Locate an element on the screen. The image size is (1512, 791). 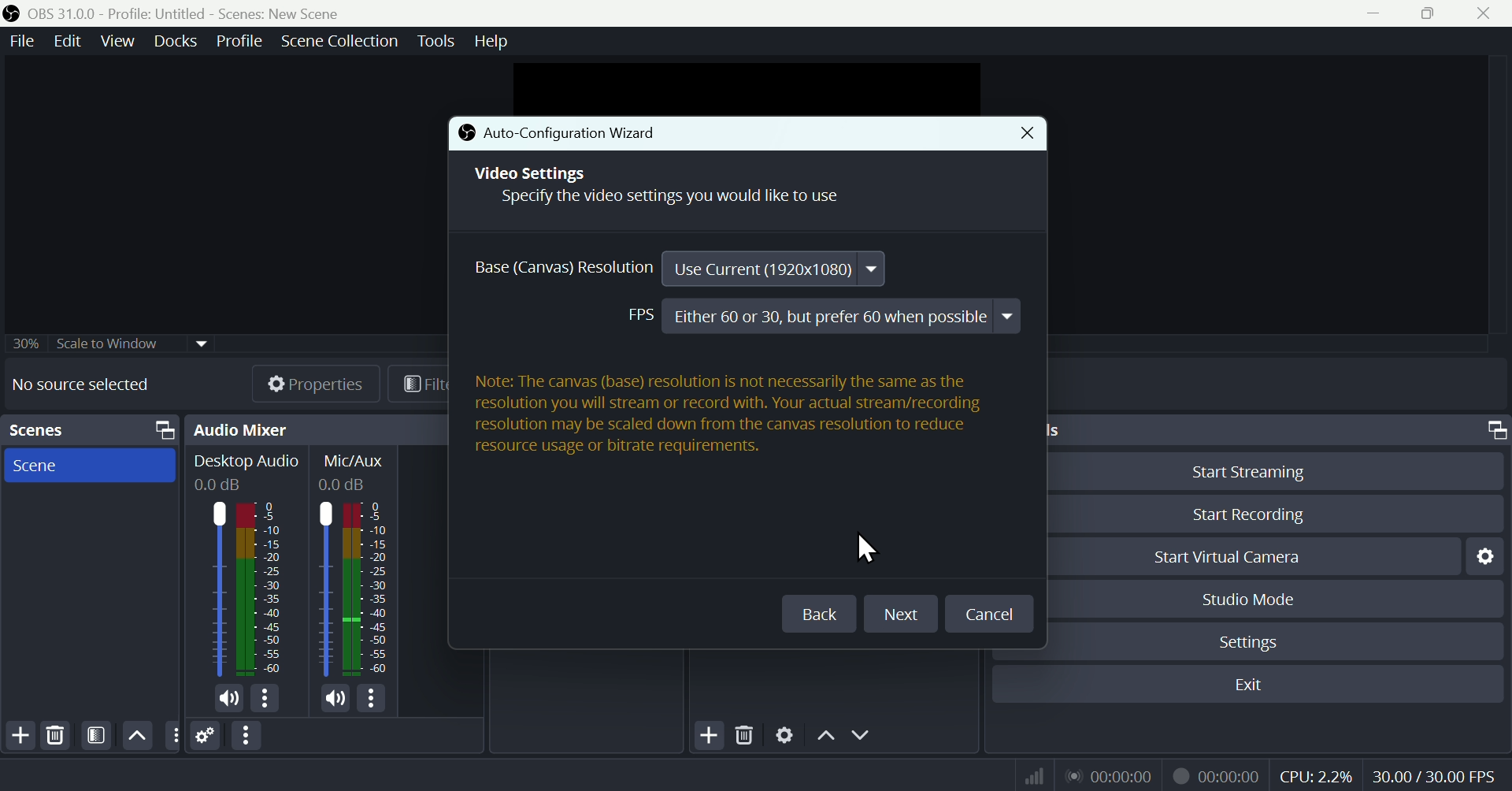
Studio Mode is located at coordinates (1275, 598).